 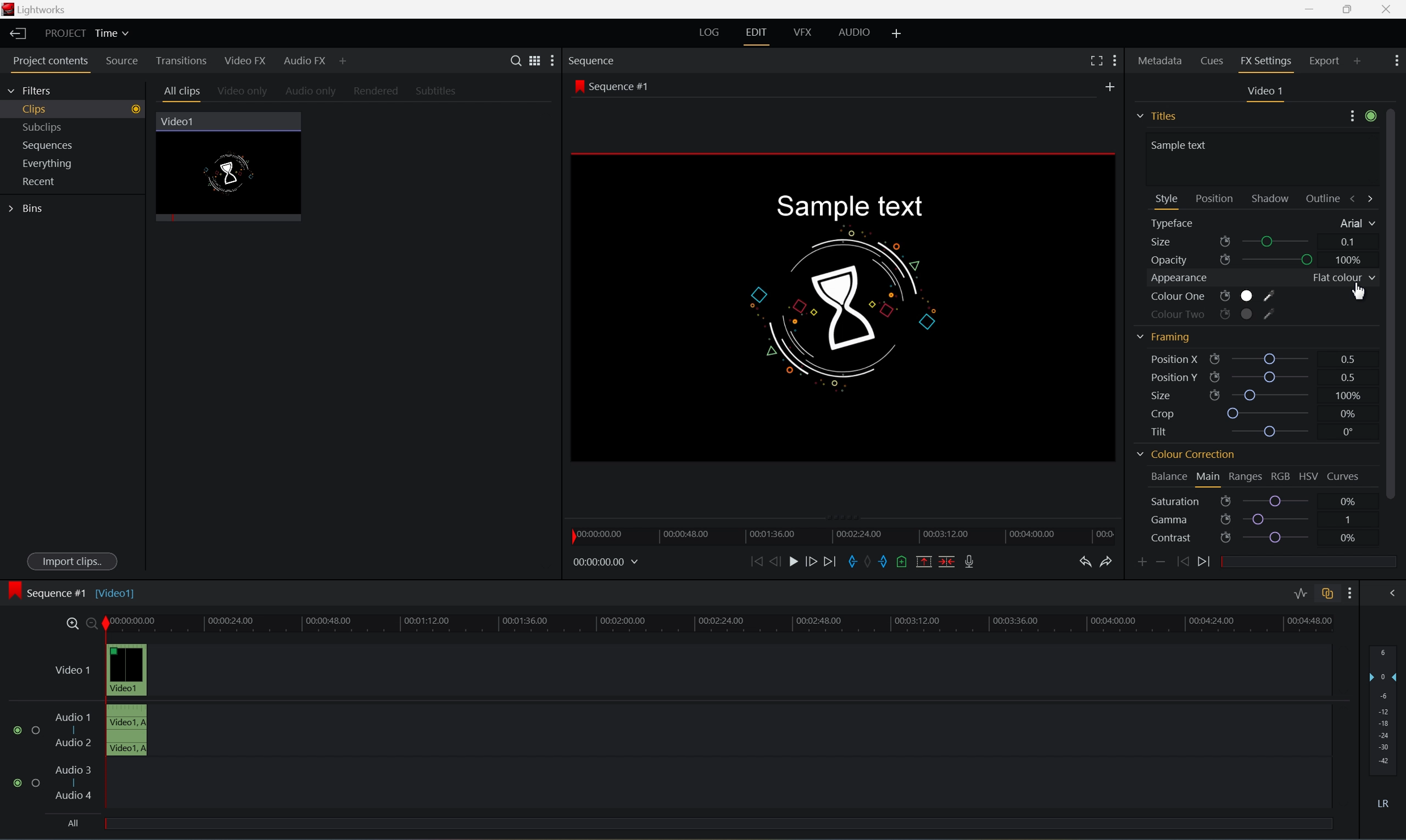 I want to click on Rendered, so click(x=379, y=92).